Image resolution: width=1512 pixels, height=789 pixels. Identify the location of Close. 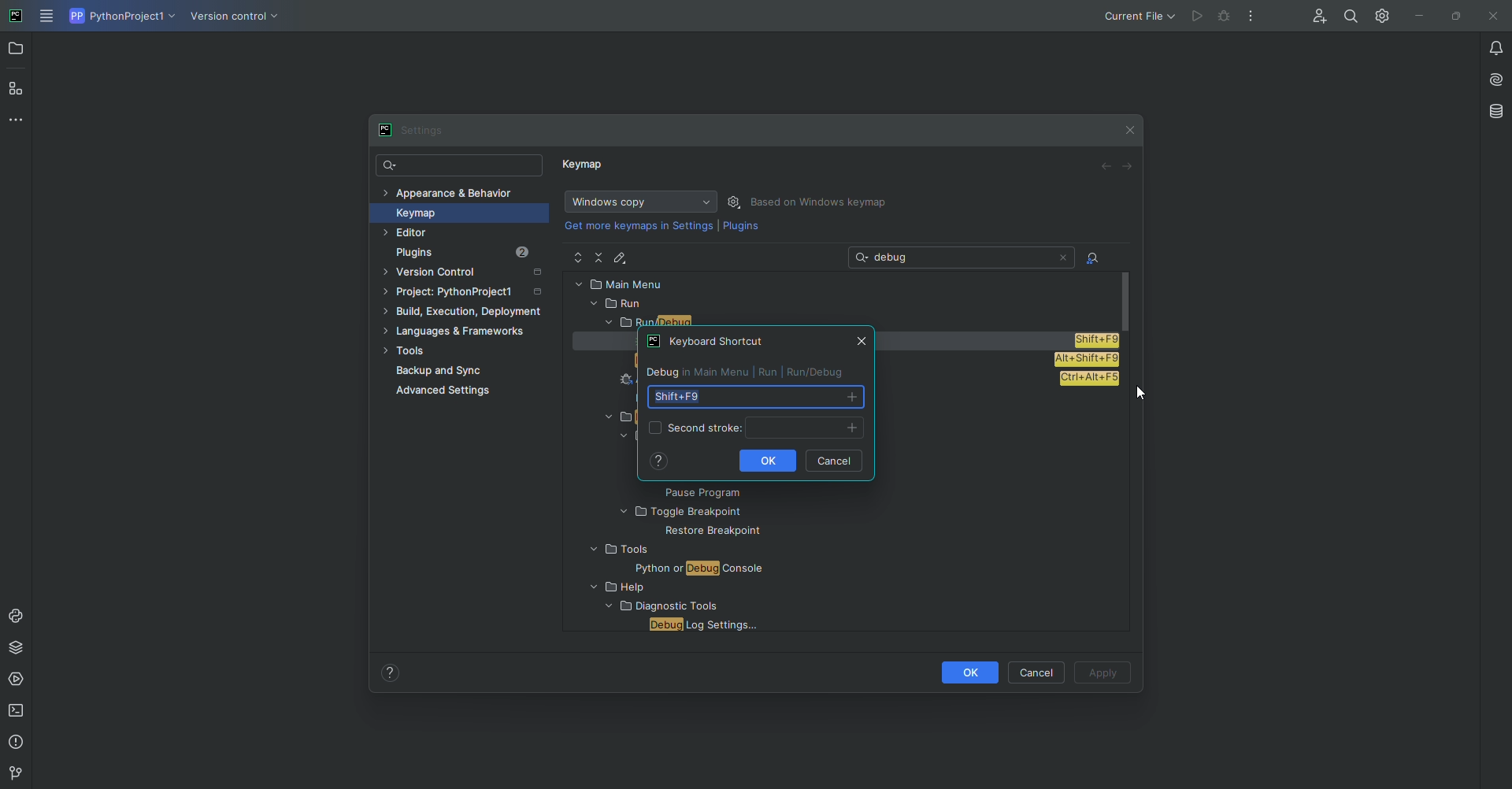
(857, 340).